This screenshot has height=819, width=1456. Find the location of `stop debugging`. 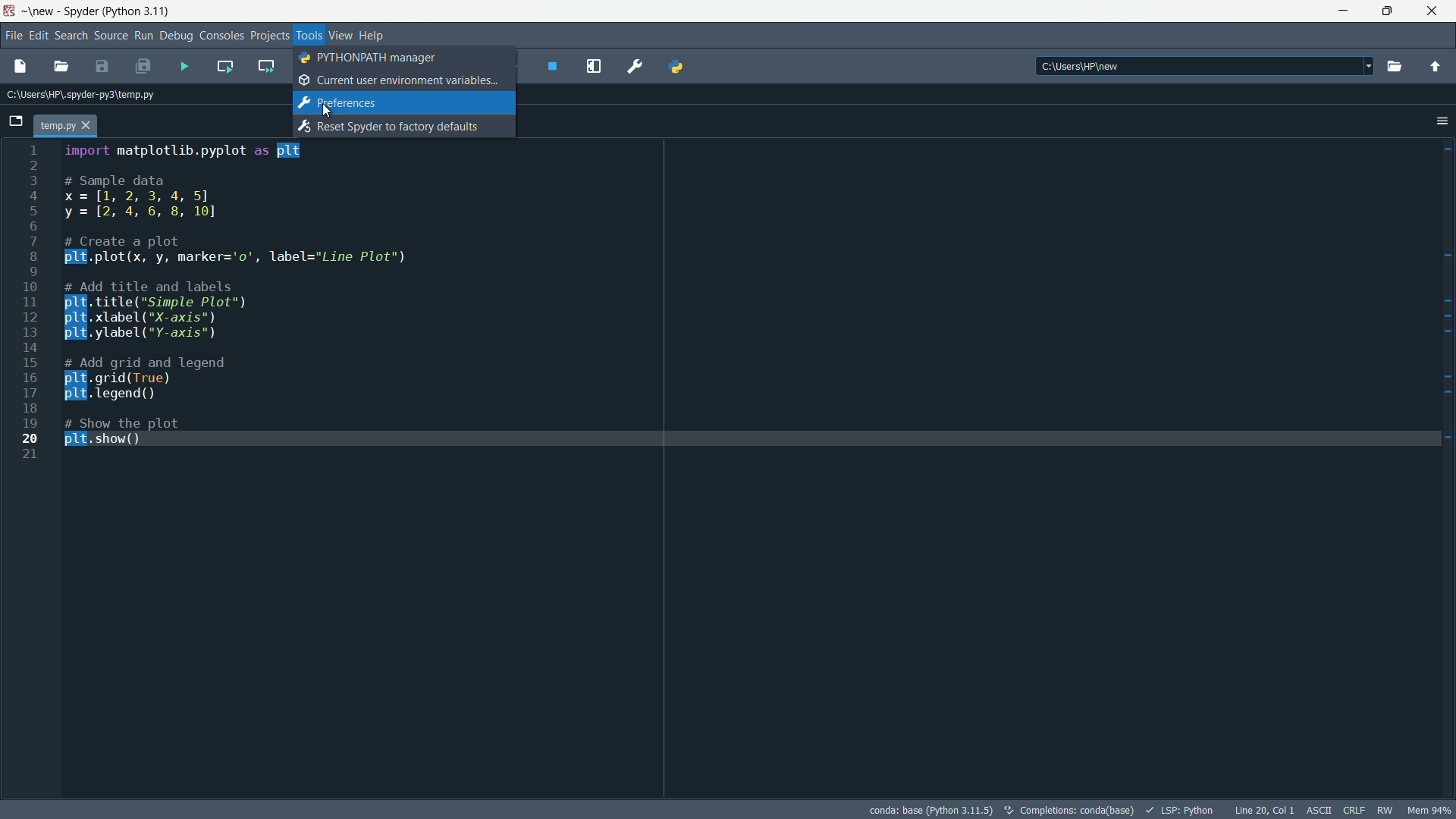

stop debugging is located at coordinates (553, 66).